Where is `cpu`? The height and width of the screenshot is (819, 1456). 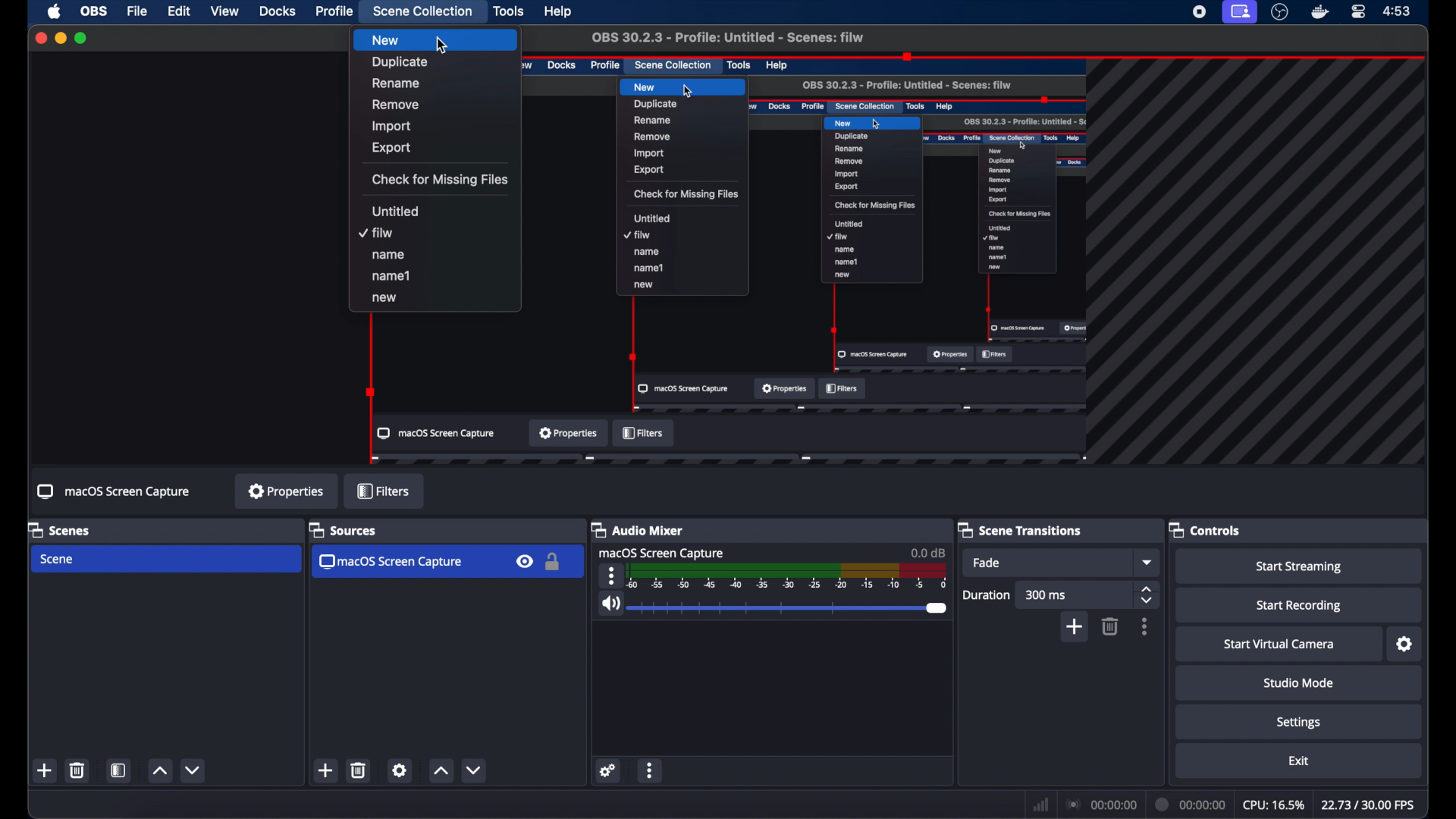 cpu is located at coordinates (1273, 804).